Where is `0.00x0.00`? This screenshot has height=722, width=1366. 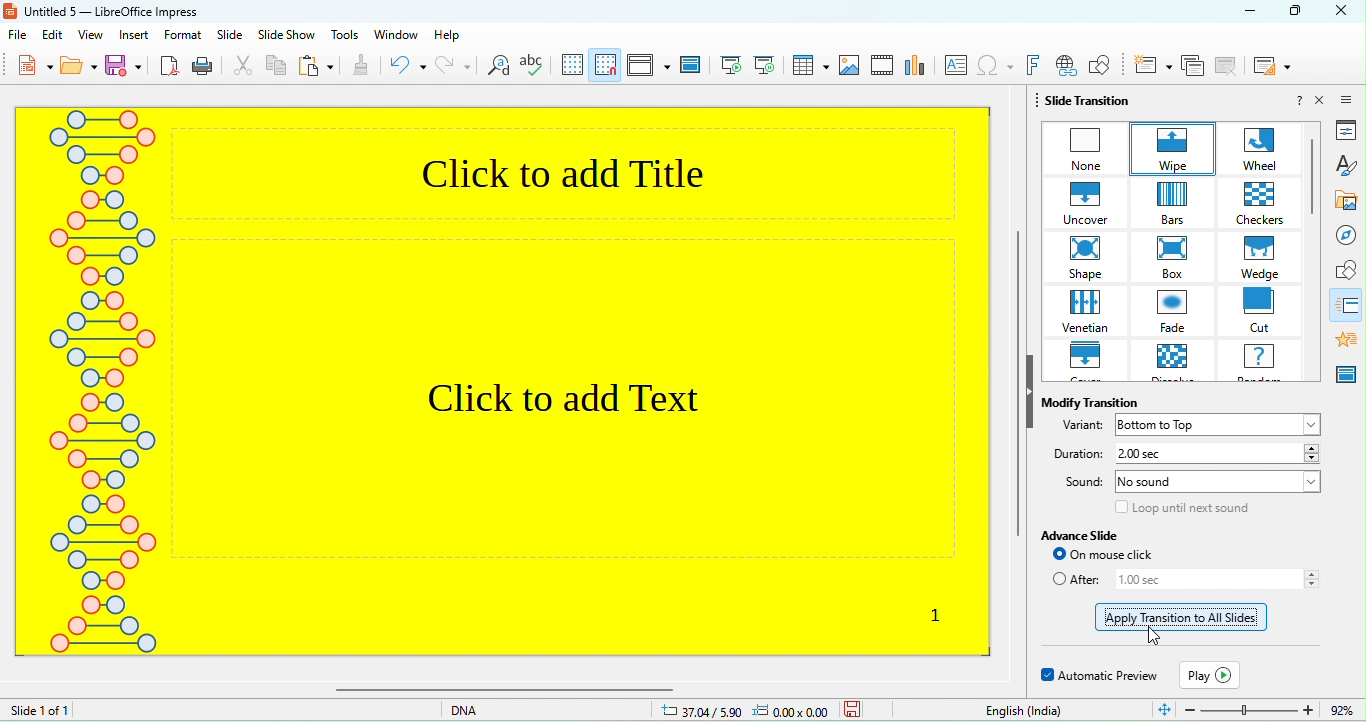
0.00x0.00 is located at coordinates (796, 710).